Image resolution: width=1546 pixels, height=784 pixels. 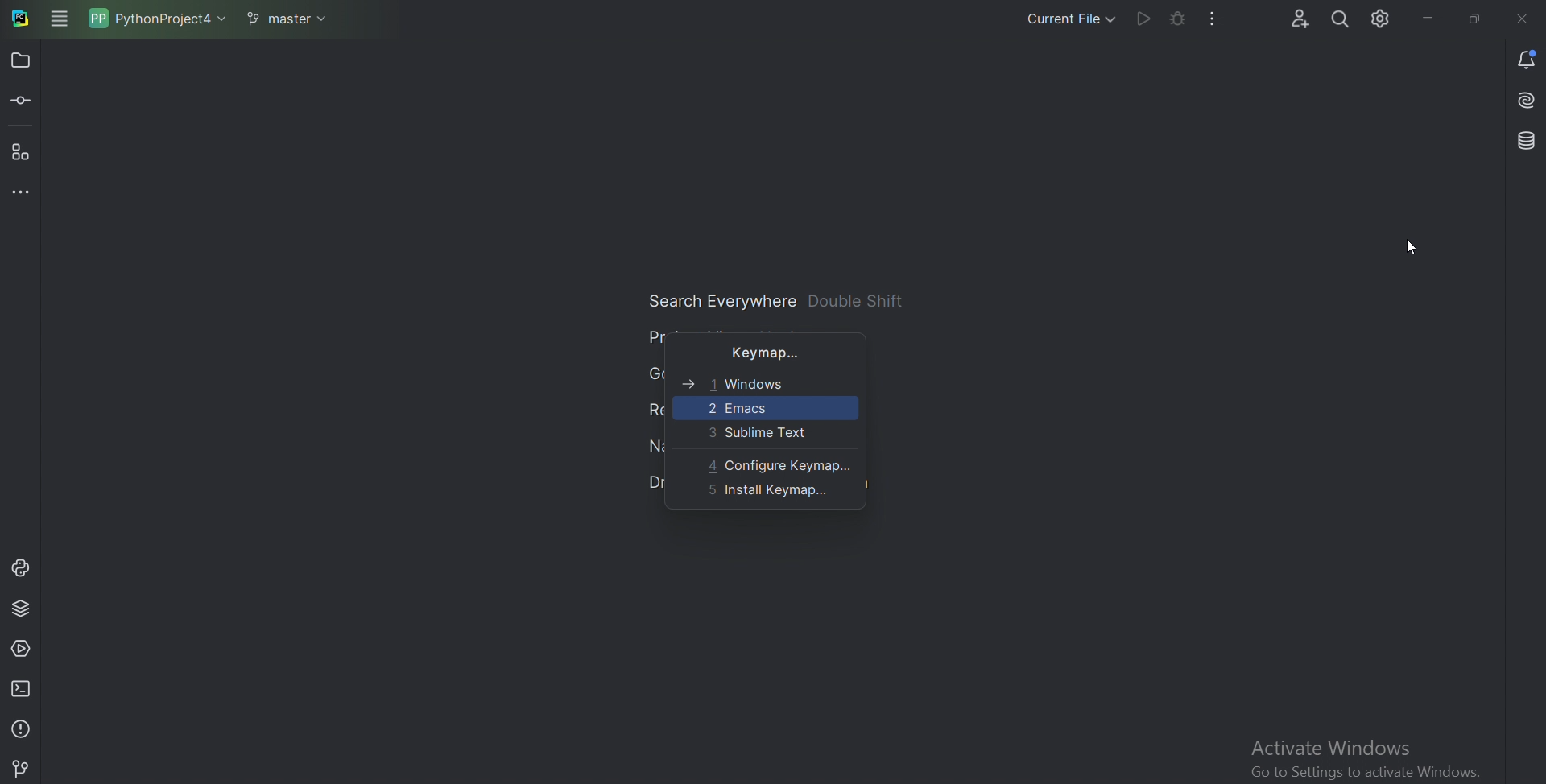 What do you see at coordinates (1520, 96) in the screenshot?
I see `Install AI assistant` at bounding box center [1520, 96].